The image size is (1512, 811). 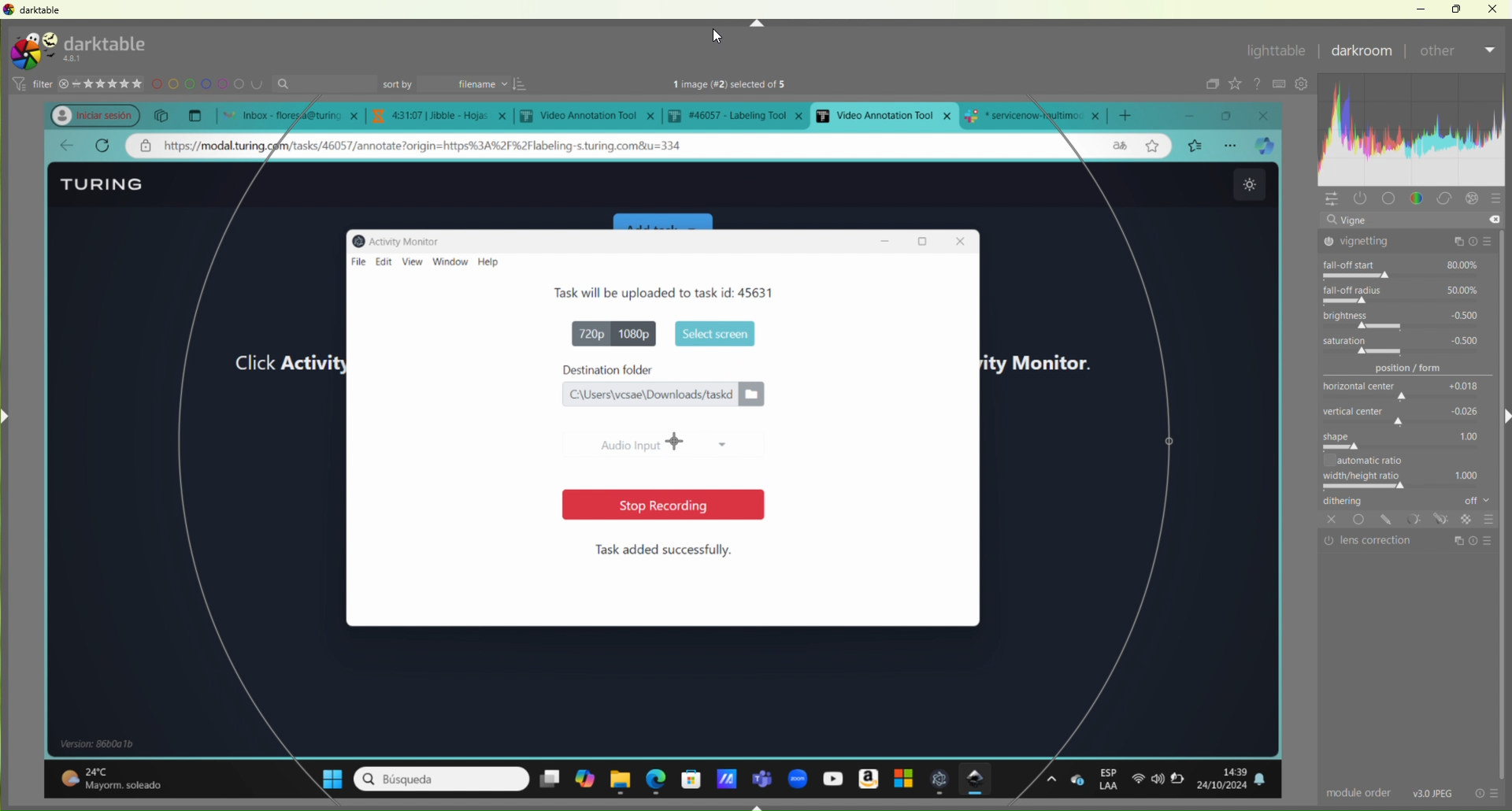 What do you see at coordinates (763, 774) in the screenshot?
I see `teams` at bounding box center [763, 774].